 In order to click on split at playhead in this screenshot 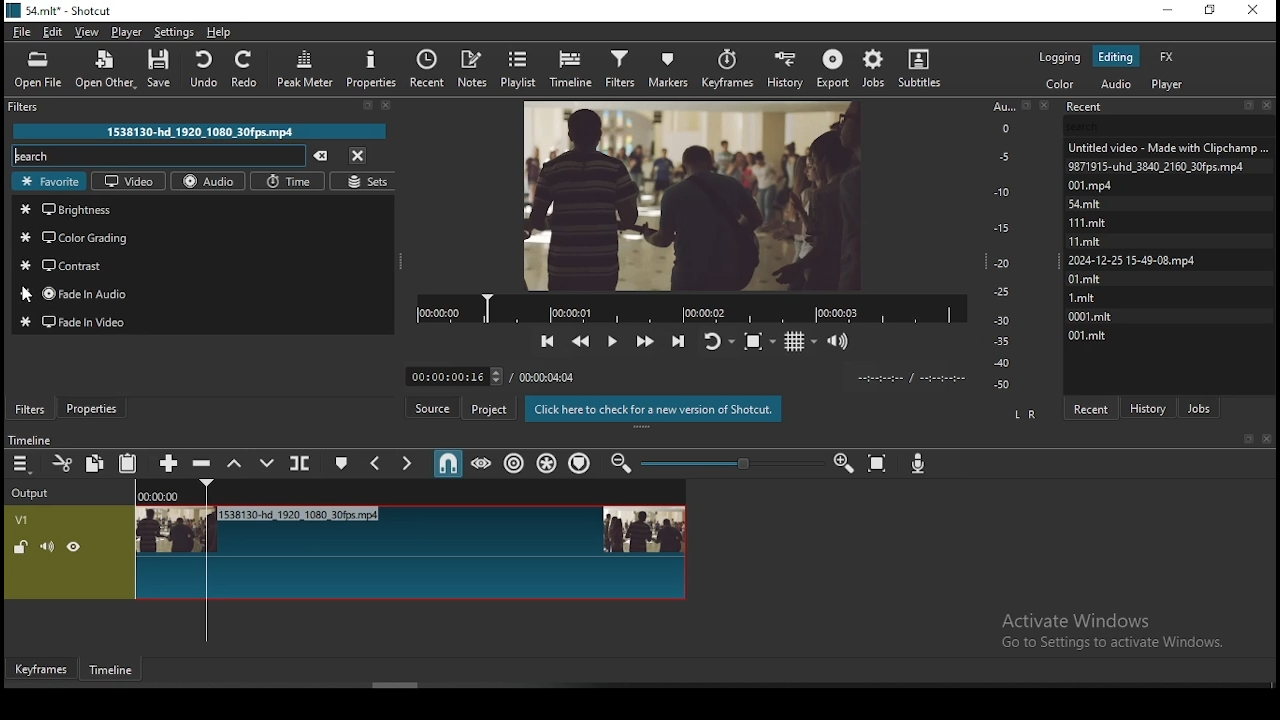, I will do `click(301, 462)`.